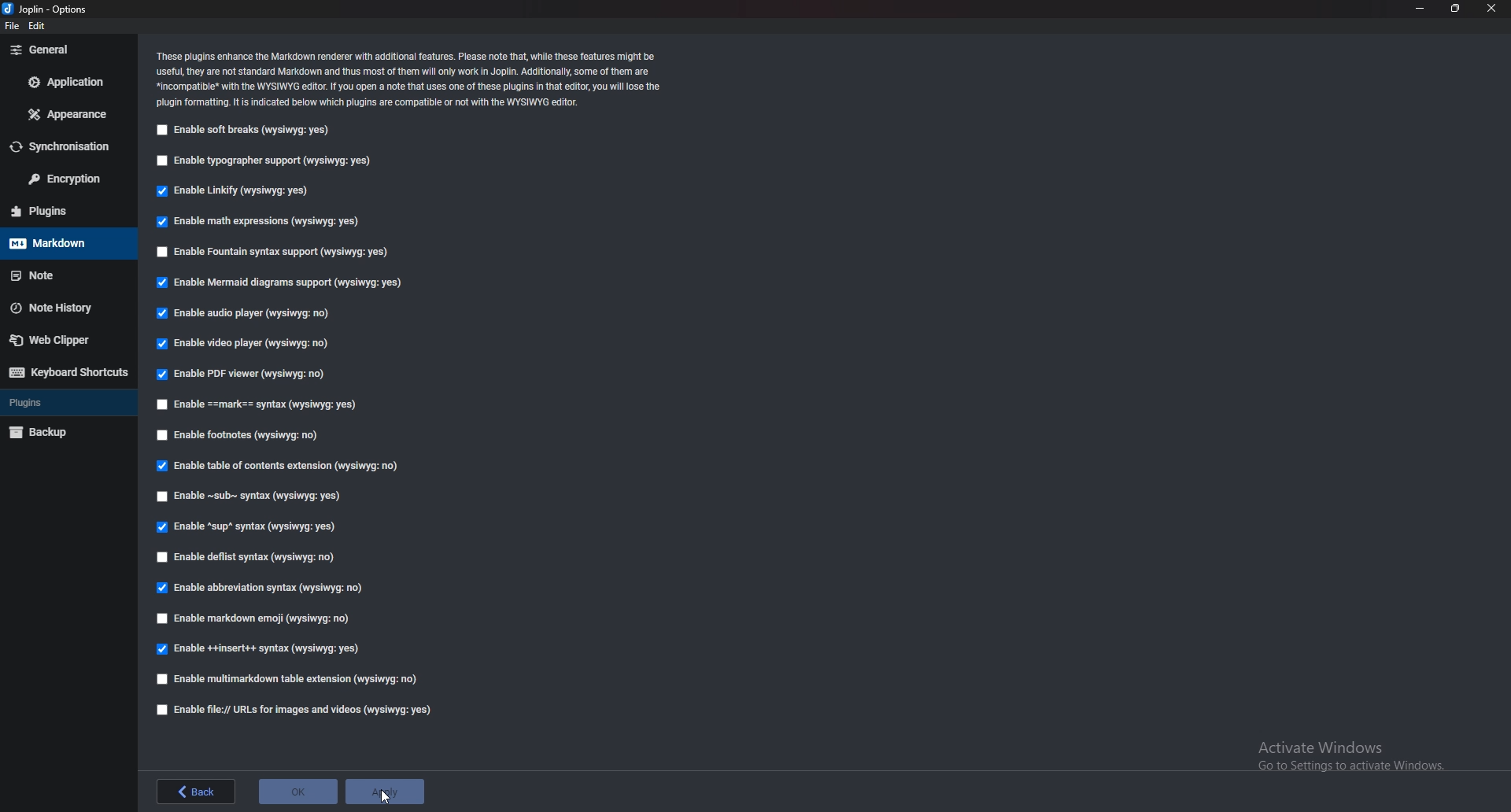 The image size is (1511, 812). Describe the element at coordinates (250, 496) in the screenshot. I see `Enable sub syntax` at that location.